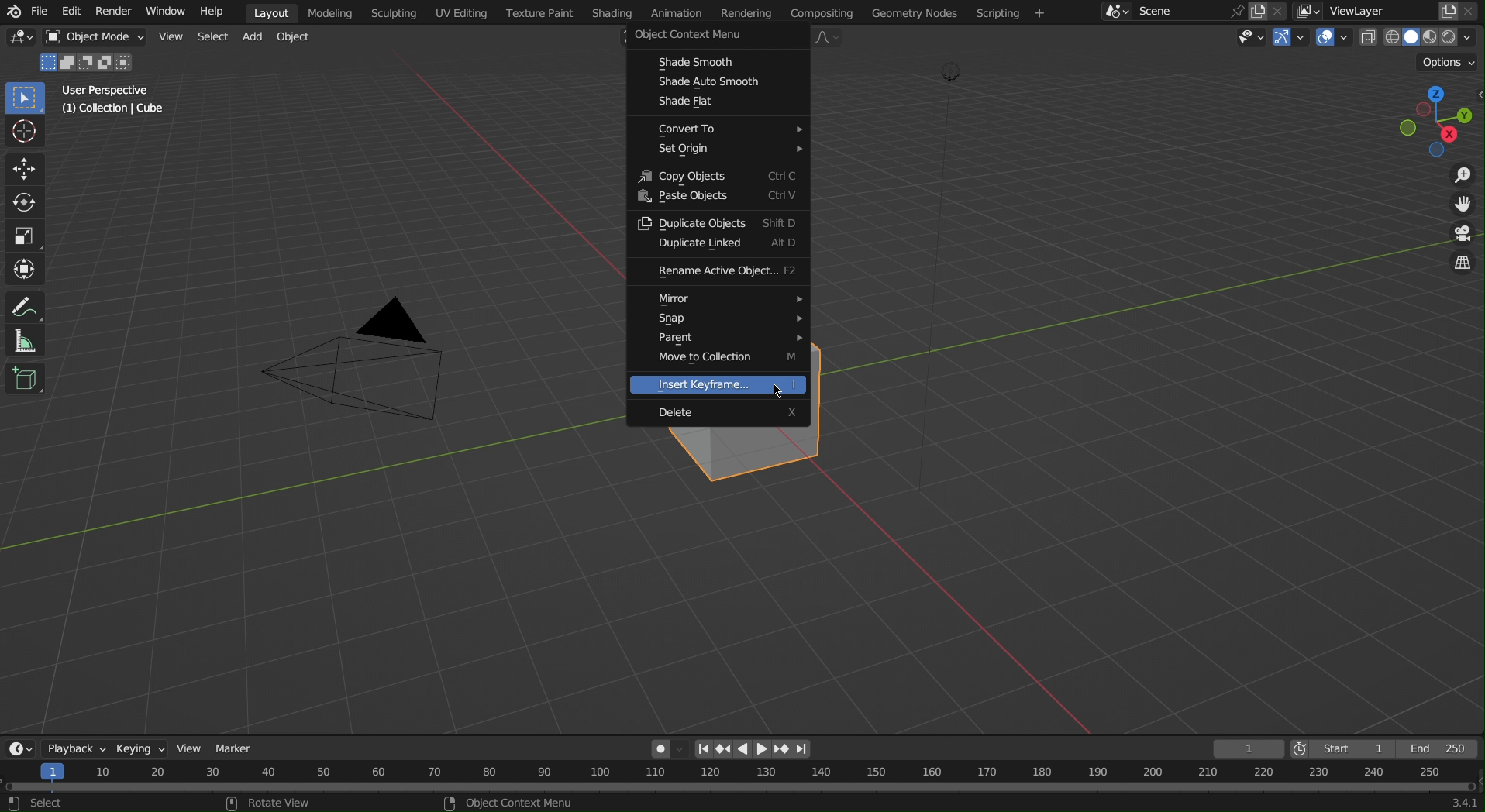 The height and width of the screenshot is (812, 1485). I want to click on Start, so click(1346, 748).